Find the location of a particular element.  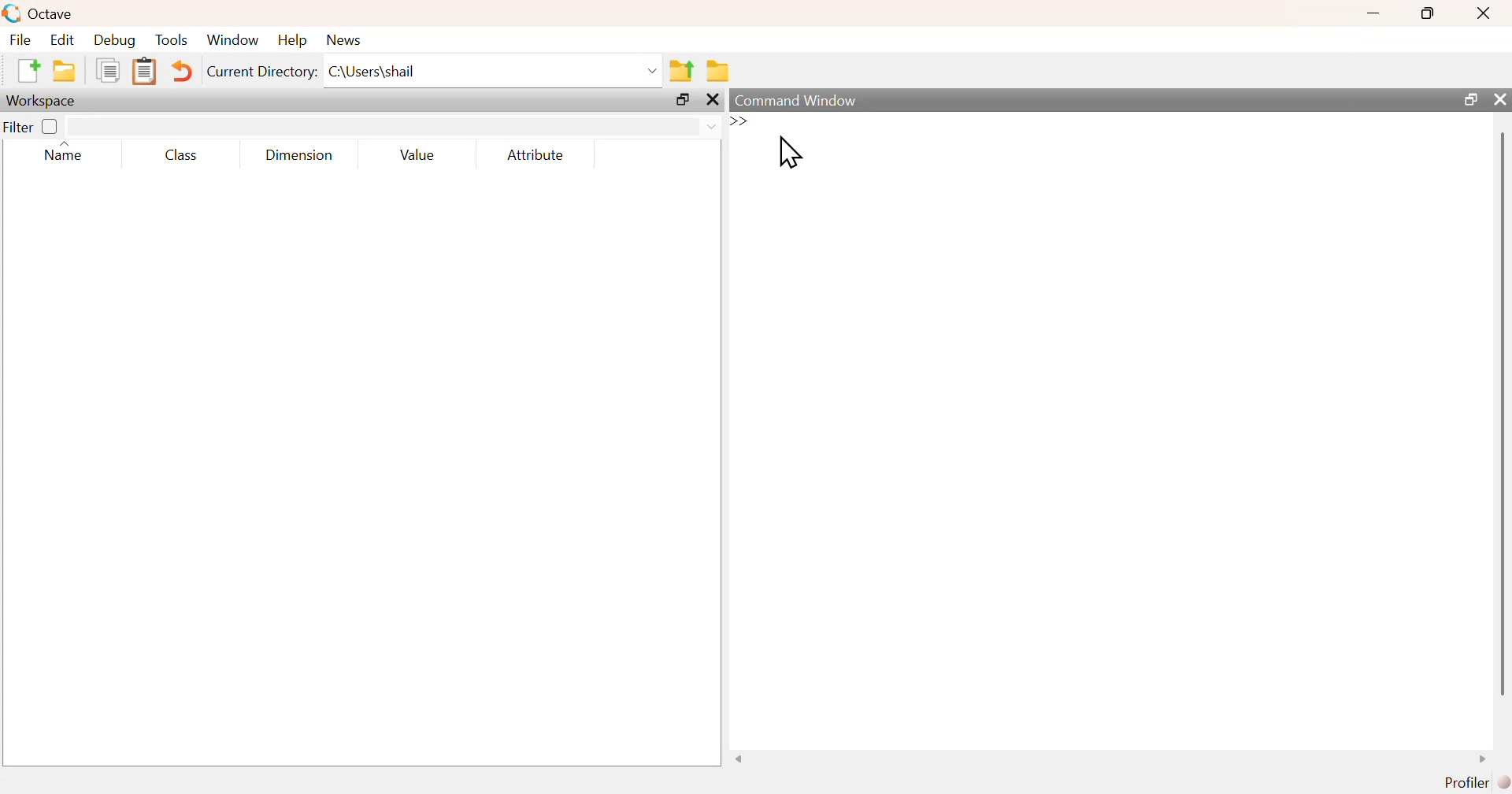

News is located at coordinates (346, 40).